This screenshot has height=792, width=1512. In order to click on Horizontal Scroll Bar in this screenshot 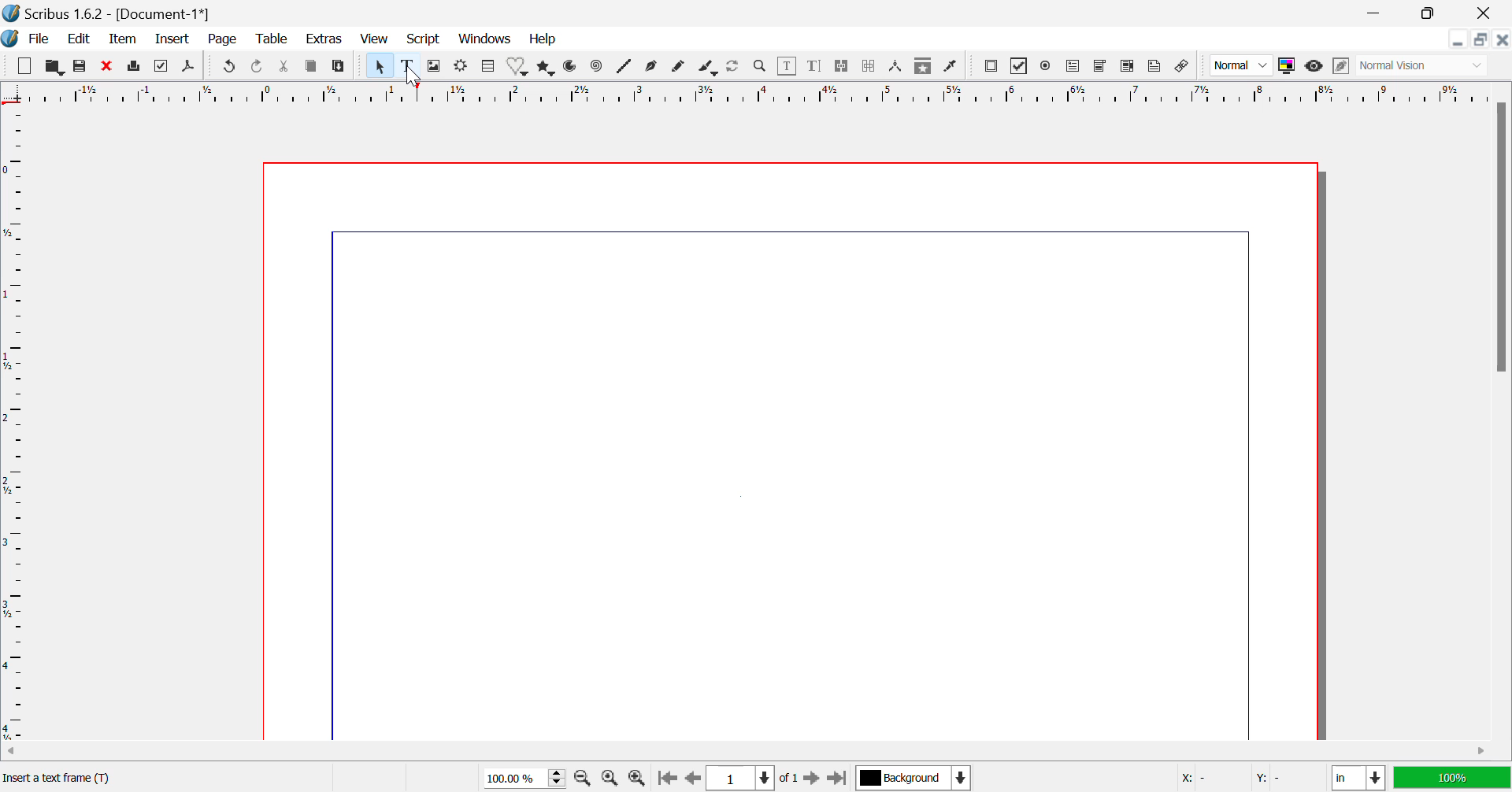, I will do `click(736, 751)`.